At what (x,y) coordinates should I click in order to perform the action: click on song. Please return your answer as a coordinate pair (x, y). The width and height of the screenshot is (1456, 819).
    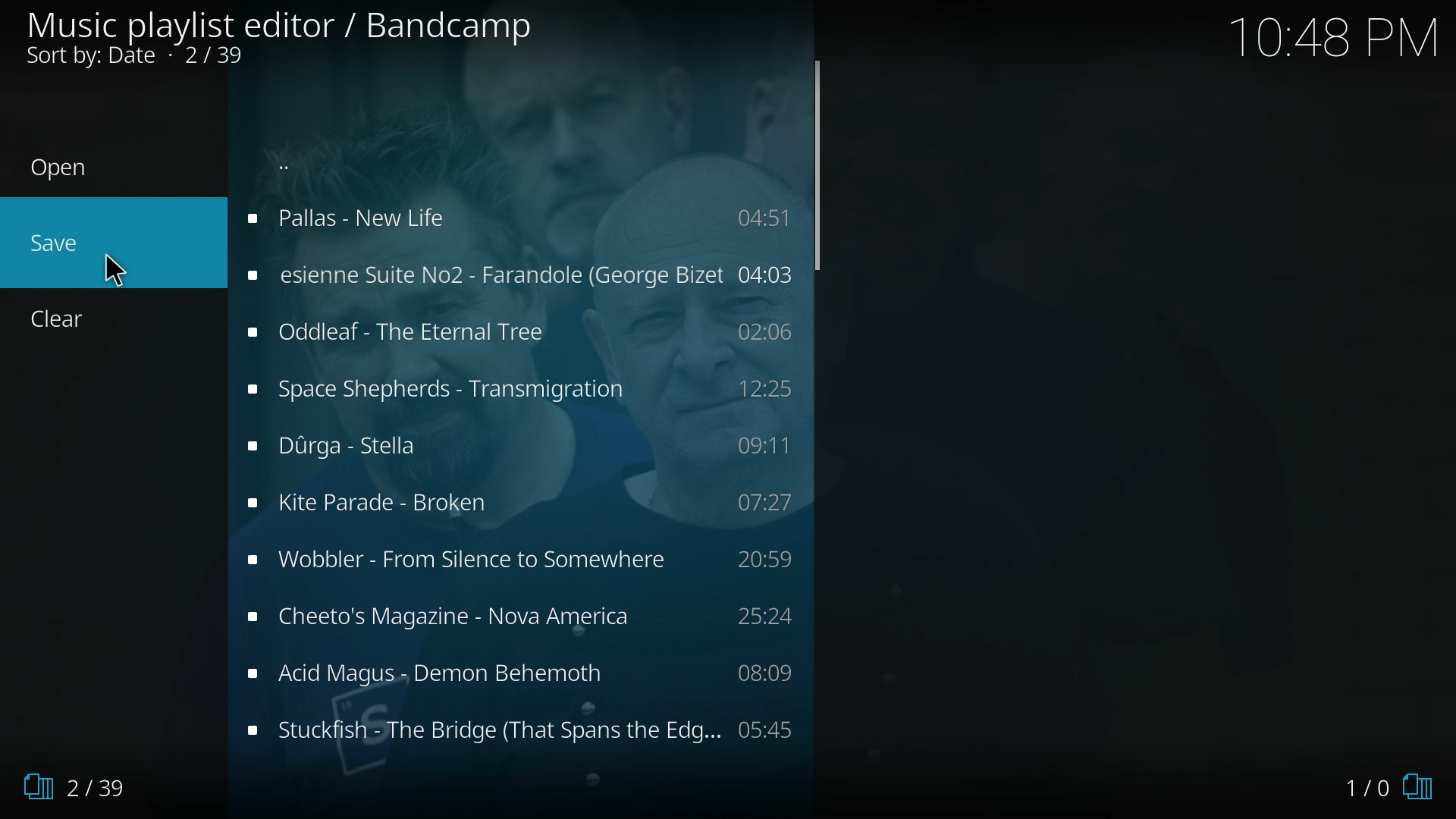
    Looking at the image, I should click on (525, 620).